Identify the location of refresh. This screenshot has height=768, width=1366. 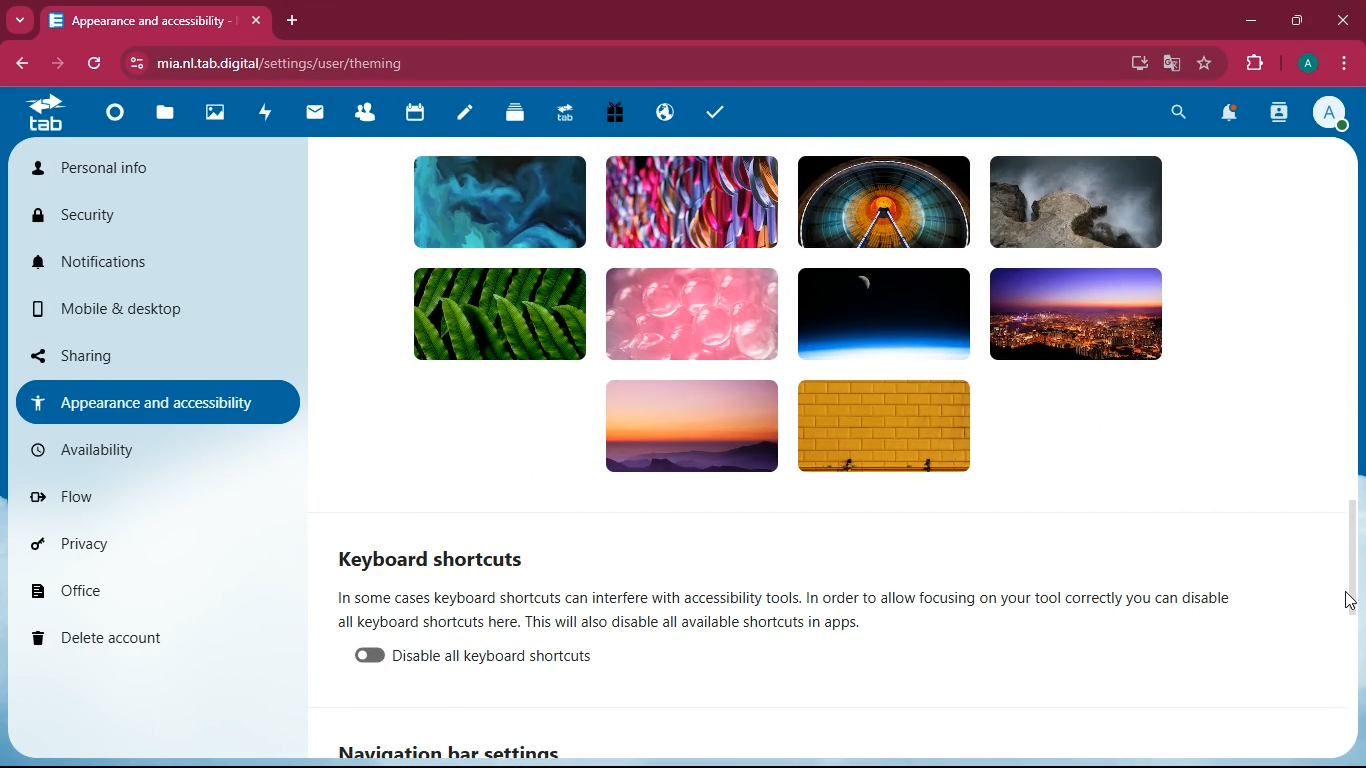
(96, 64).